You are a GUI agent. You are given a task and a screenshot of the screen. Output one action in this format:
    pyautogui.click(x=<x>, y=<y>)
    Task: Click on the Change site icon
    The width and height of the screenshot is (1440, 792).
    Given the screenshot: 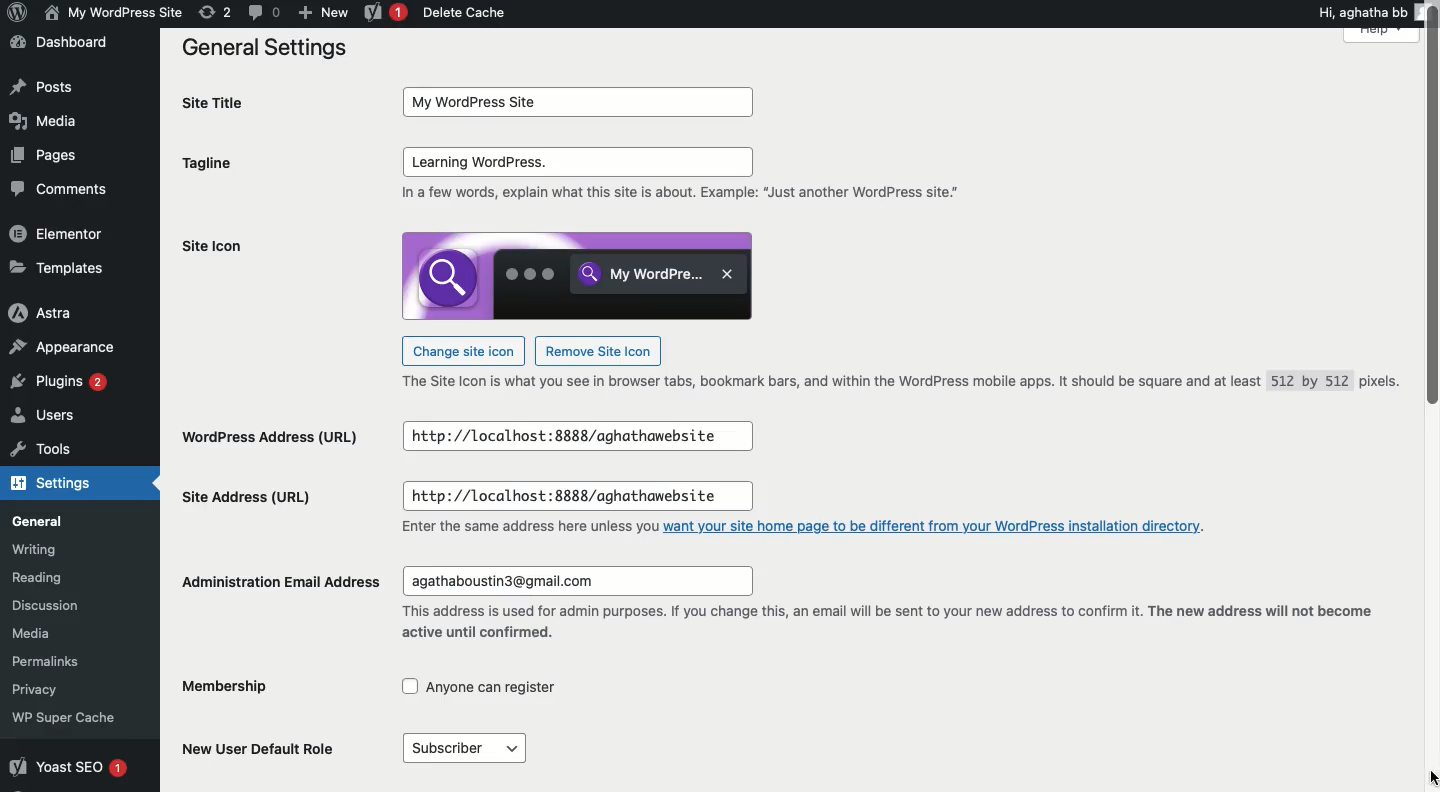 What is the action you would take?
    pyautogui.click(x=463, y=352)
    